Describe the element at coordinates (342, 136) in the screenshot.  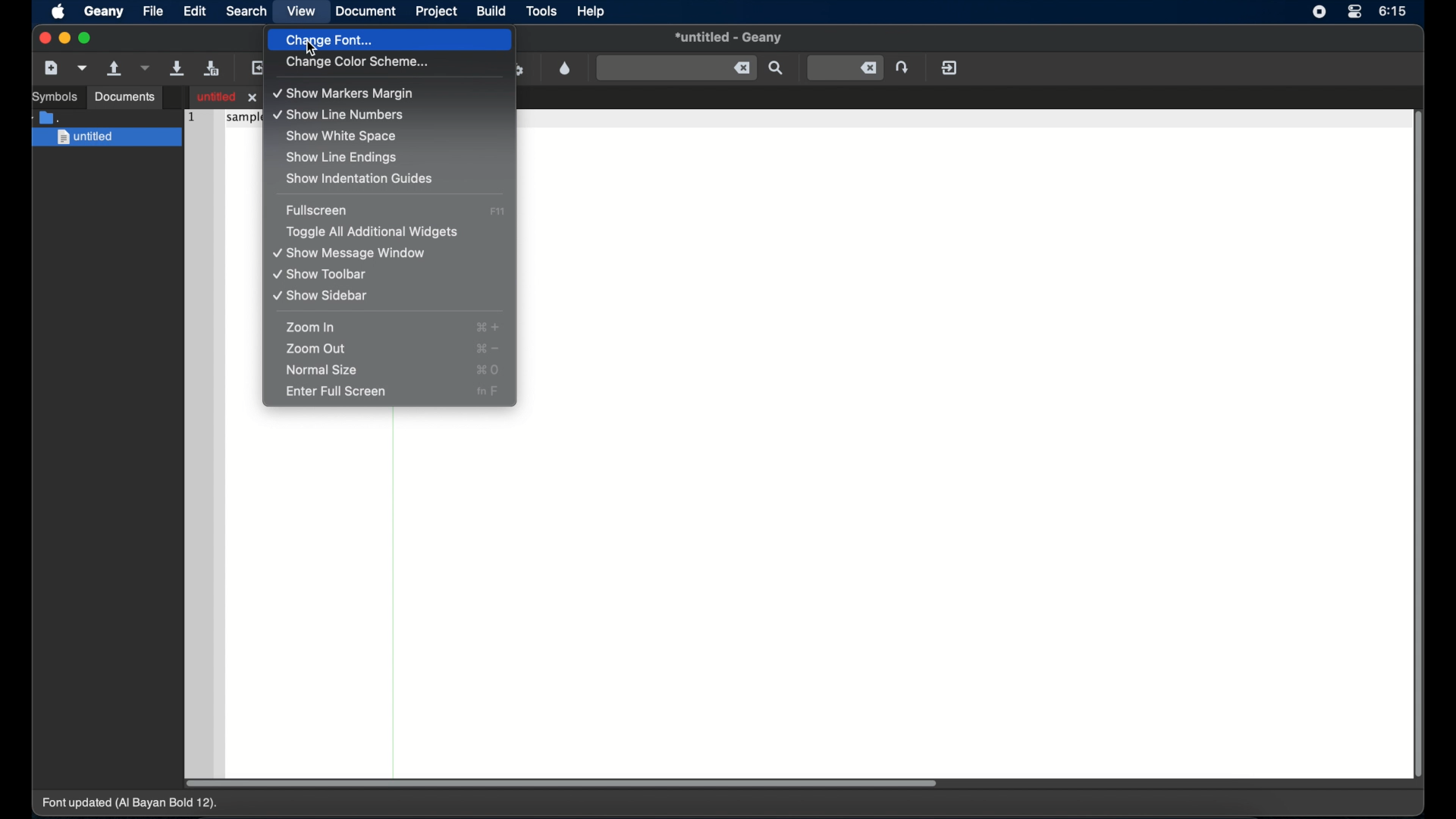
I see `show white space` at that location.